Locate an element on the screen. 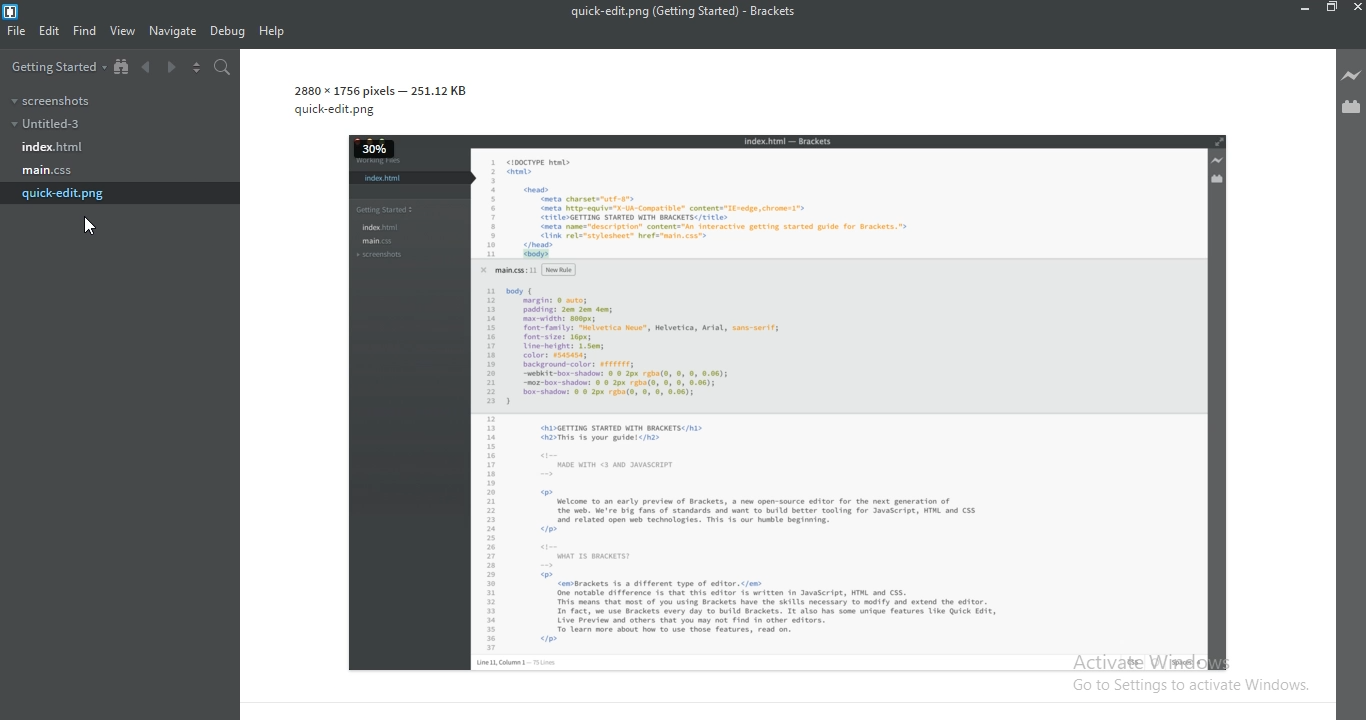 The height and width of the screenshot is (720, 1366). close is located at coordinates (1357, 8).